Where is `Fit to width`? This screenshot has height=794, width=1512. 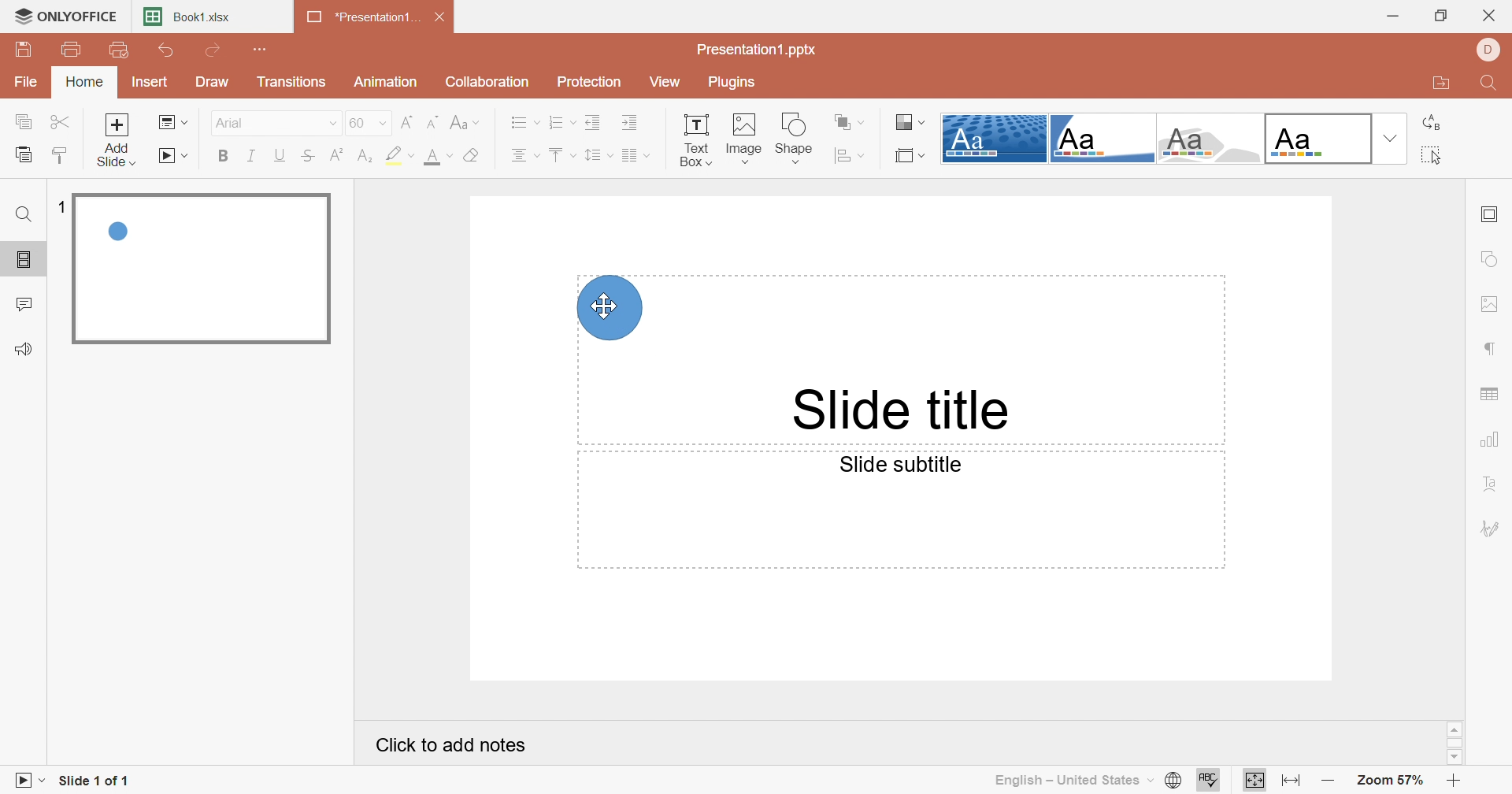 Fit to width is located at coordinates (1291, 783).